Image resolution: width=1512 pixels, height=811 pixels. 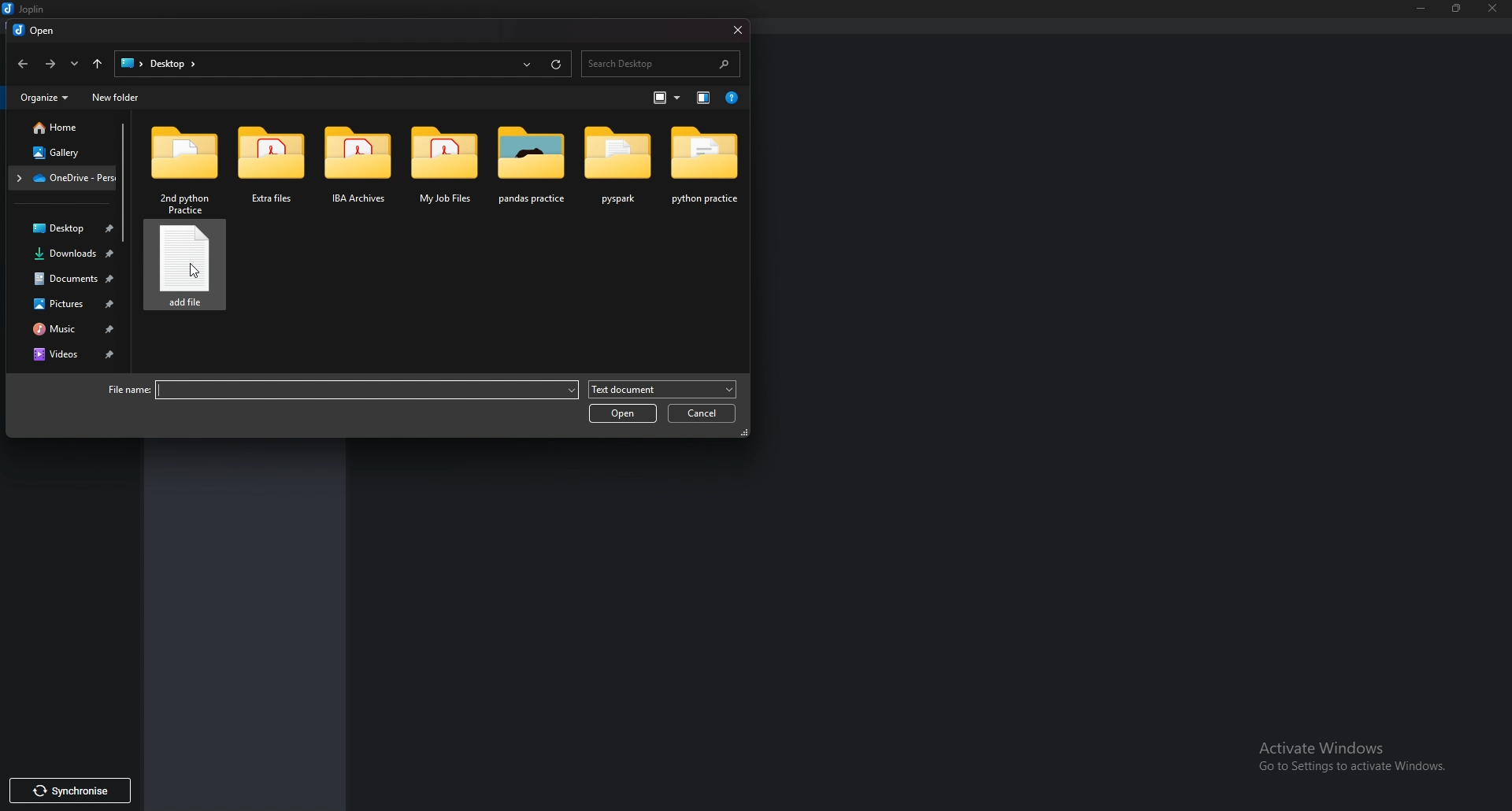 I want to click on activate windows, so click(x=1354, y=754).